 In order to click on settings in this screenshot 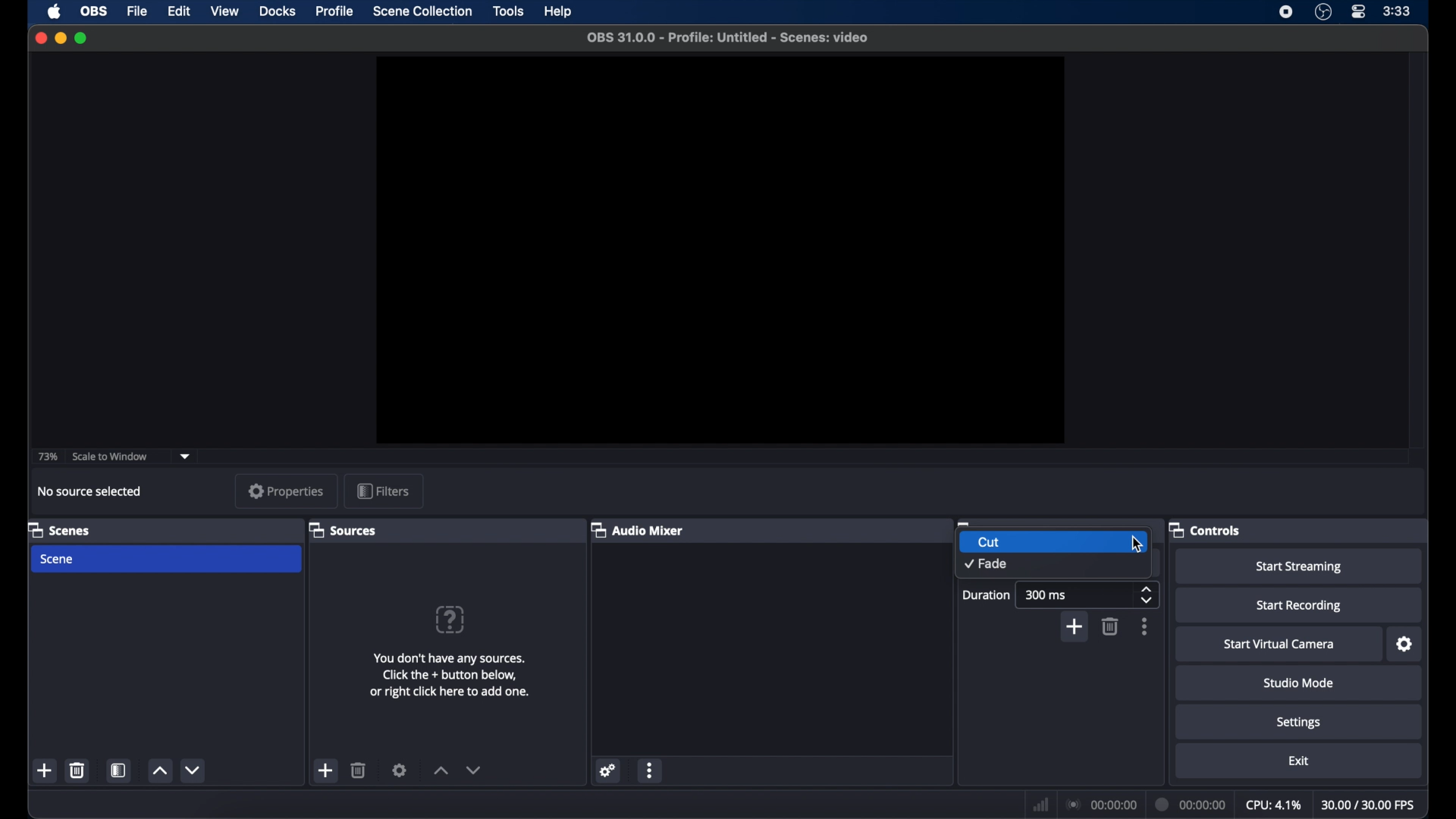, I will do `click(399, 770)`.